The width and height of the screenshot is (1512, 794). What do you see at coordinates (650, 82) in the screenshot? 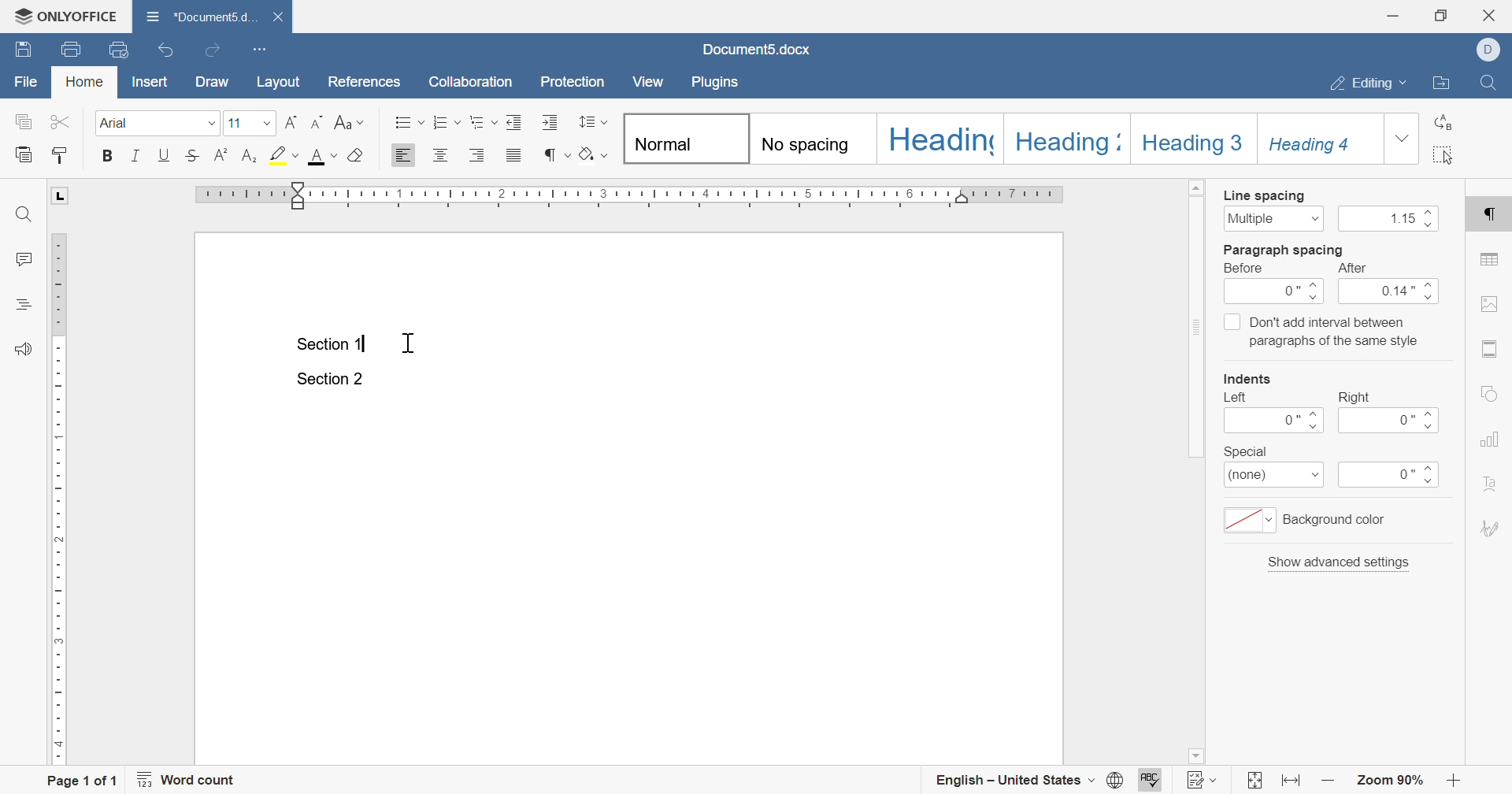
I see `view` at bounding box center [650, 82].